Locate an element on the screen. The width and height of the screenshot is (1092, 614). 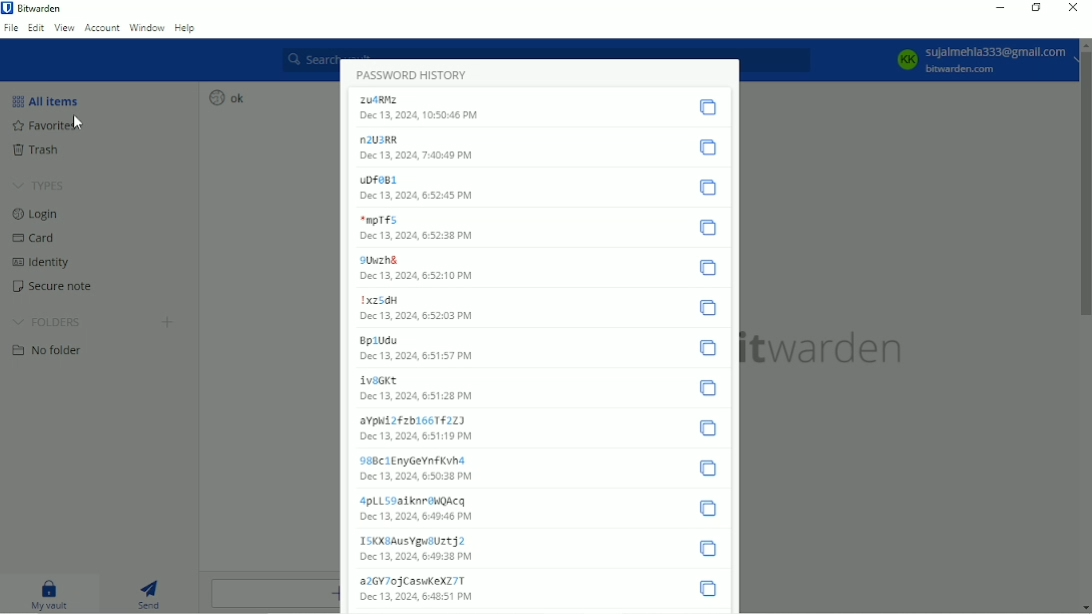
Login is located at coordinates (35, 213).